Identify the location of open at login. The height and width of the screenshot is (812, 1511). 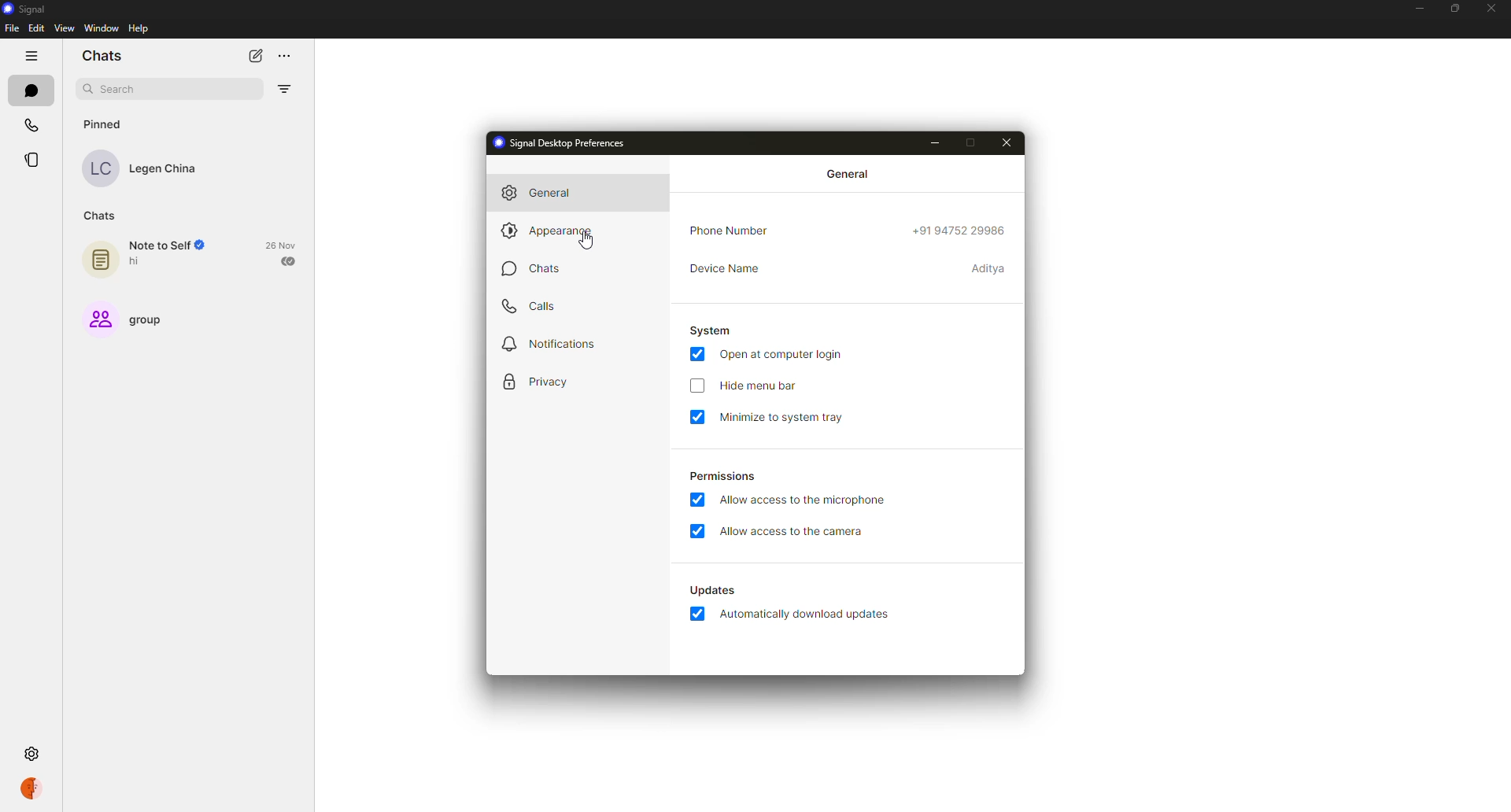
(787, 356).